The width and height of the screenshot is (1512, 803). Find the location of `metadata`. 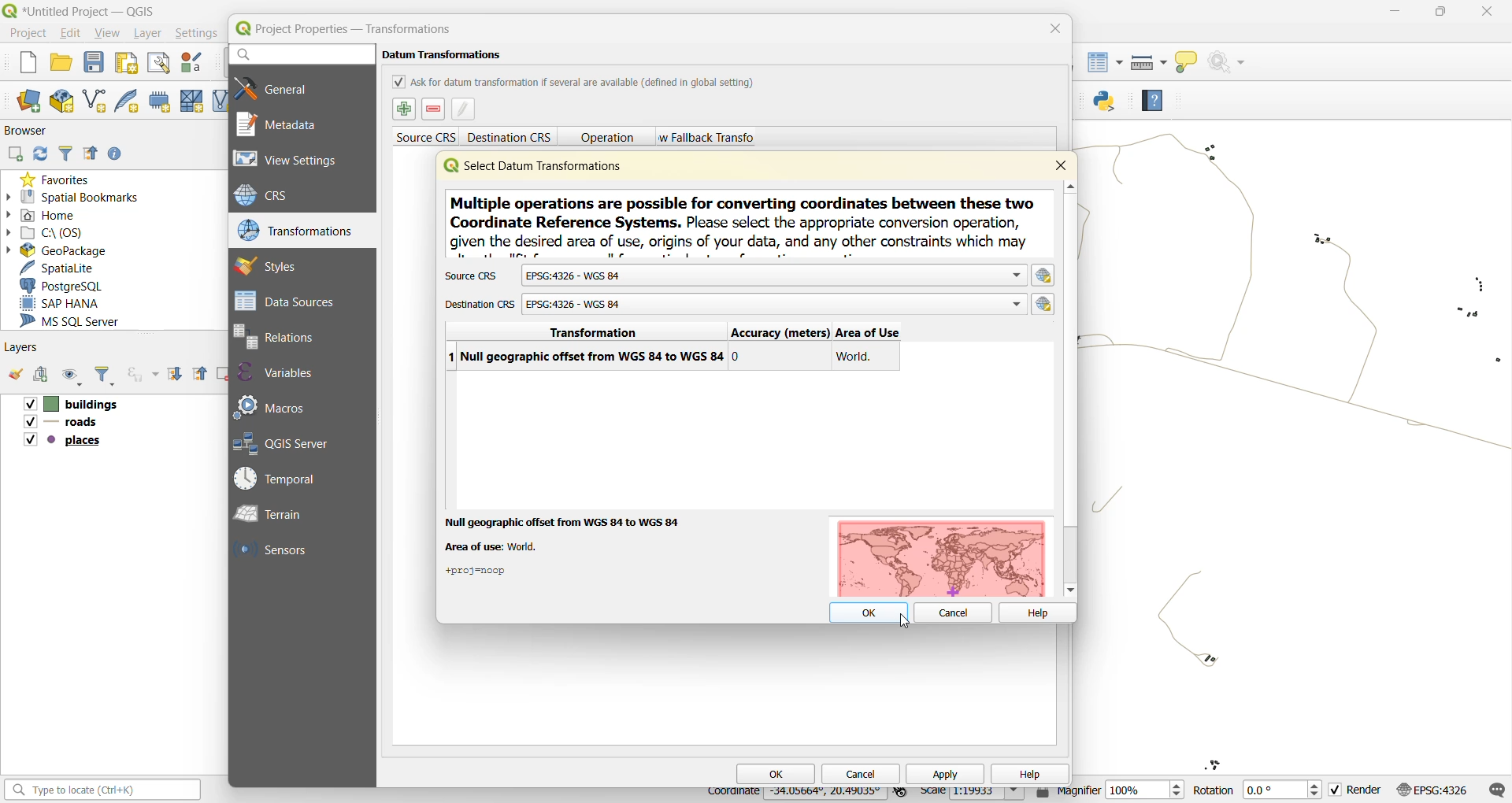

metadata is located at coordinates (285, 124).